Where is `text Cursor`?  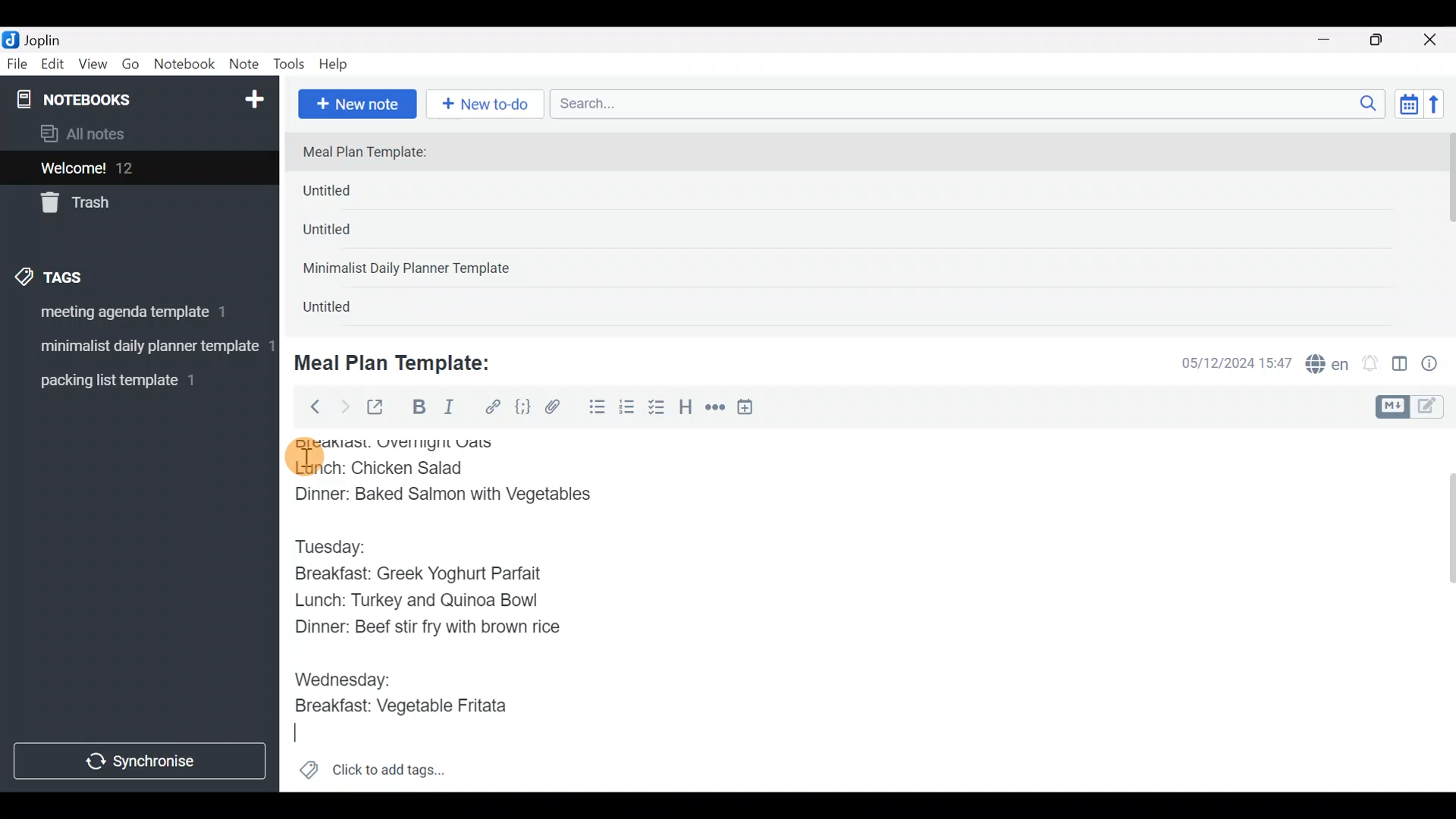
text Cursor is located at coordinates (309, 734).